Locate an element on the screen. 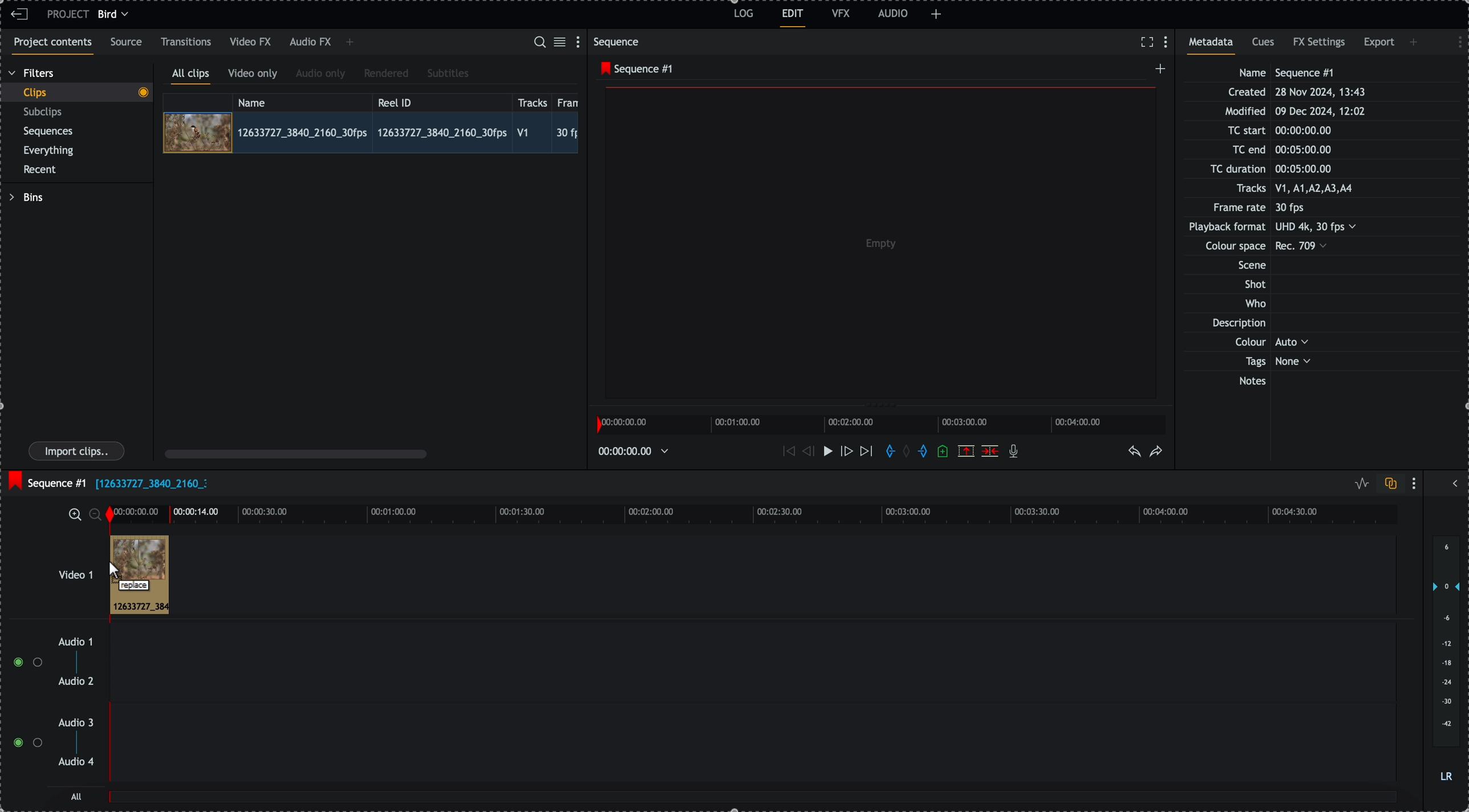 The width and height of the screenshot is (1469, 812). metadata is located at coordinates (1215, 46).